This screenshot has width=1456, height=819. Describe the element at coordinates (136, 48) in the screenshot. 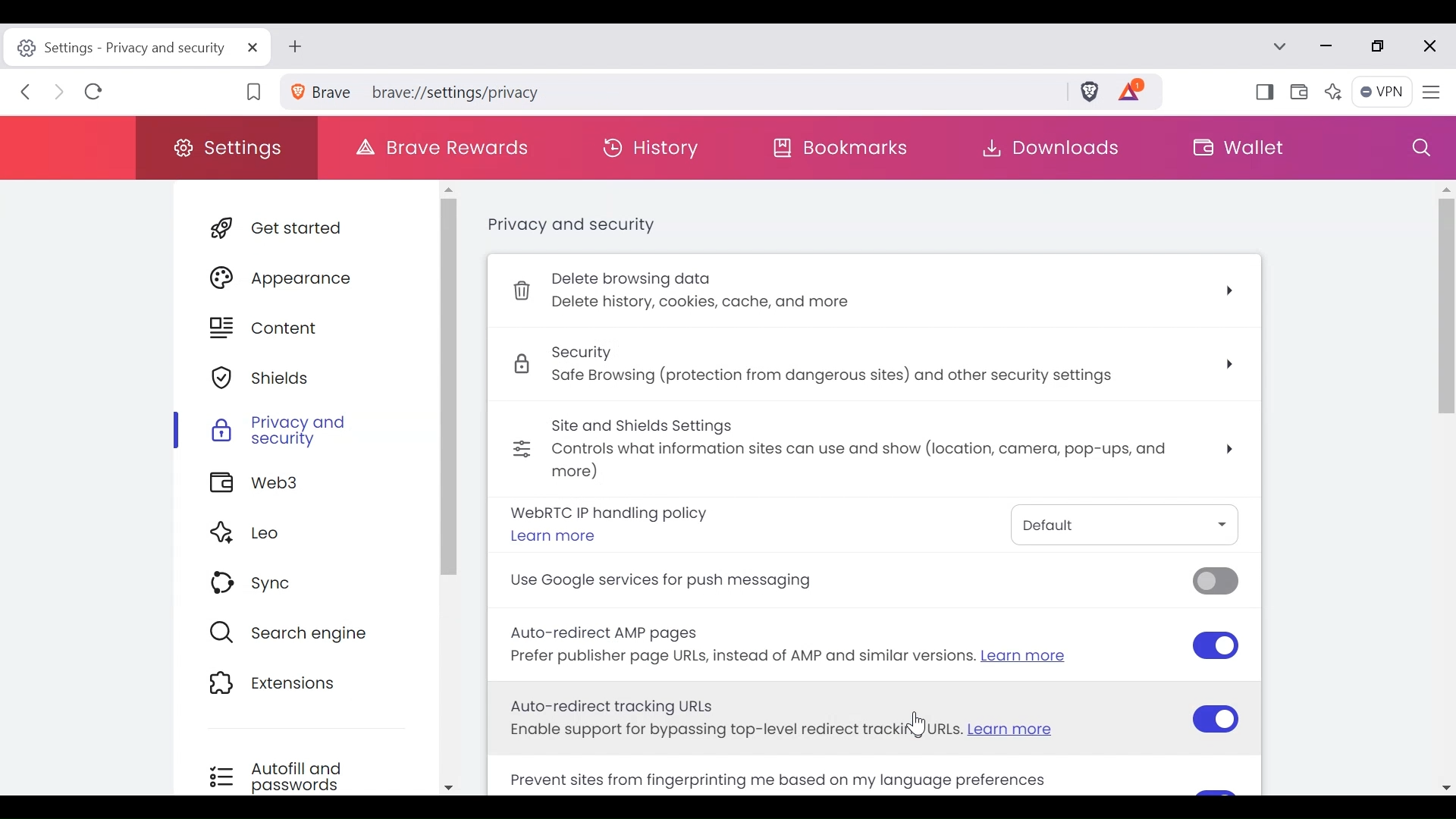

I see `Settings-privacy and security` at that location.